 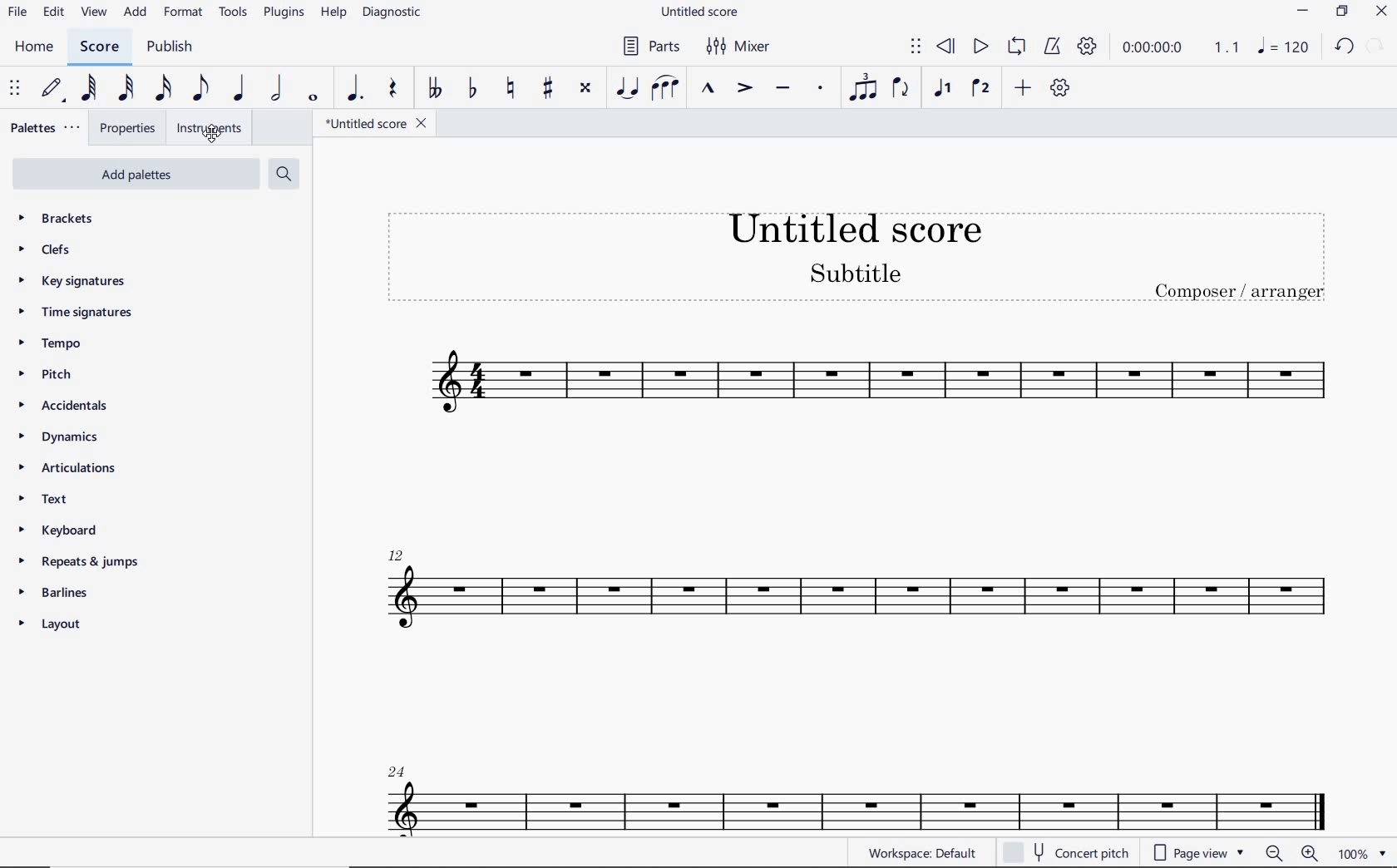 I want to click on FLIP DIRECTION, so click(x=901, y=91).